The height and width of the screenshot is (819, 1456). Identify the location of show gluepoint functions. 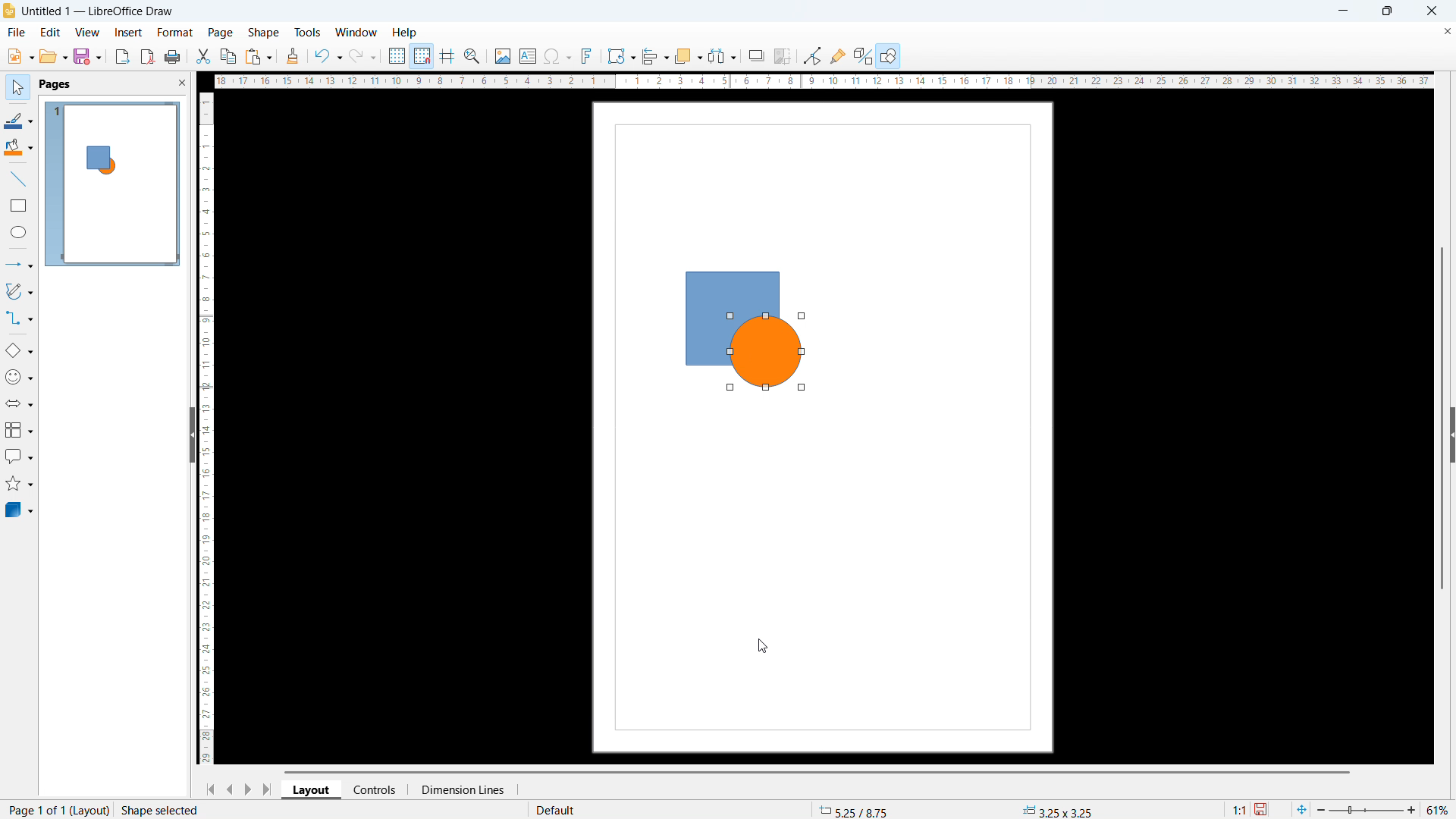
(839, 55).